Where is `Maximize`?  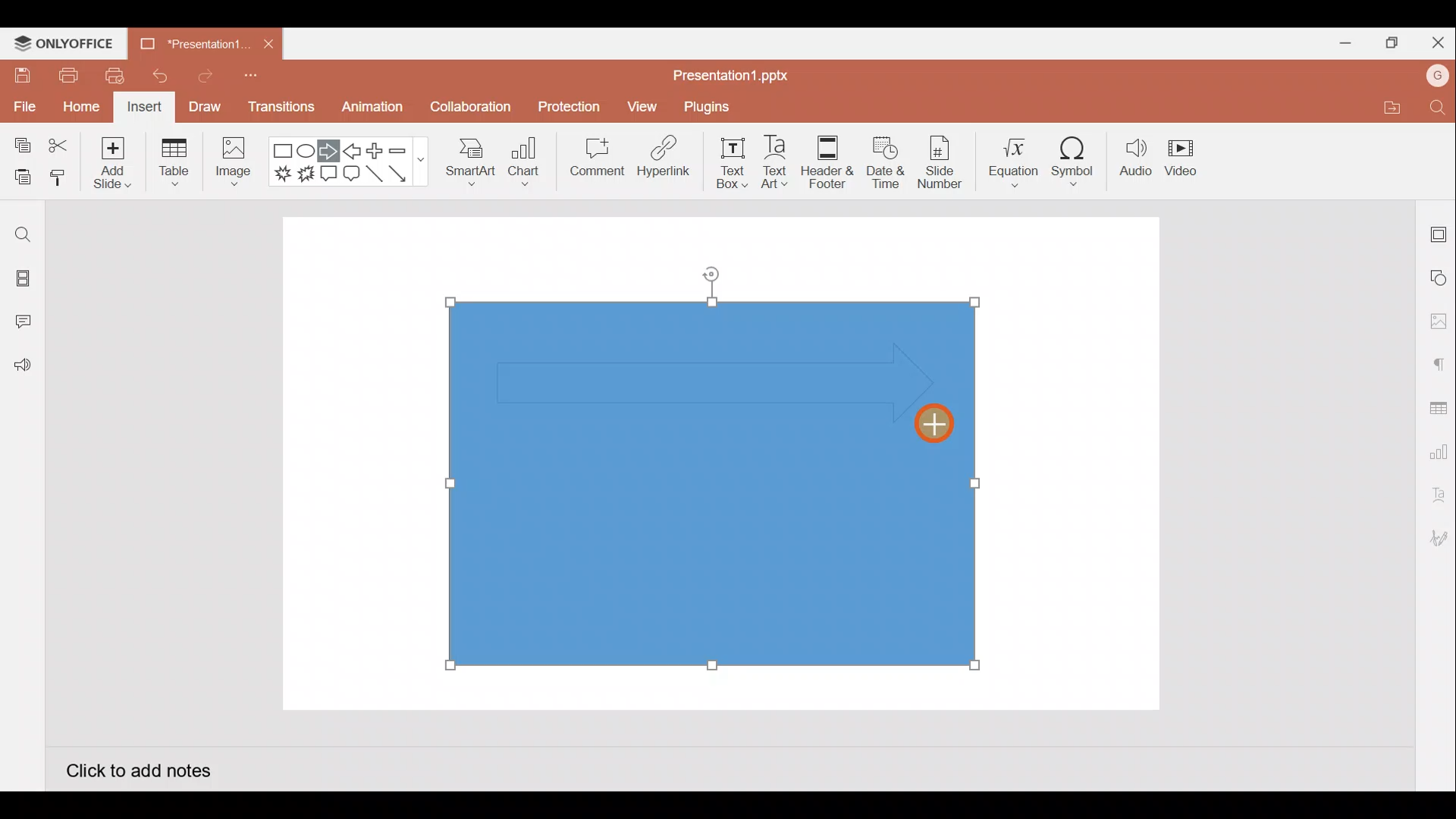
Maximize is located at coordinates (1388, 43).